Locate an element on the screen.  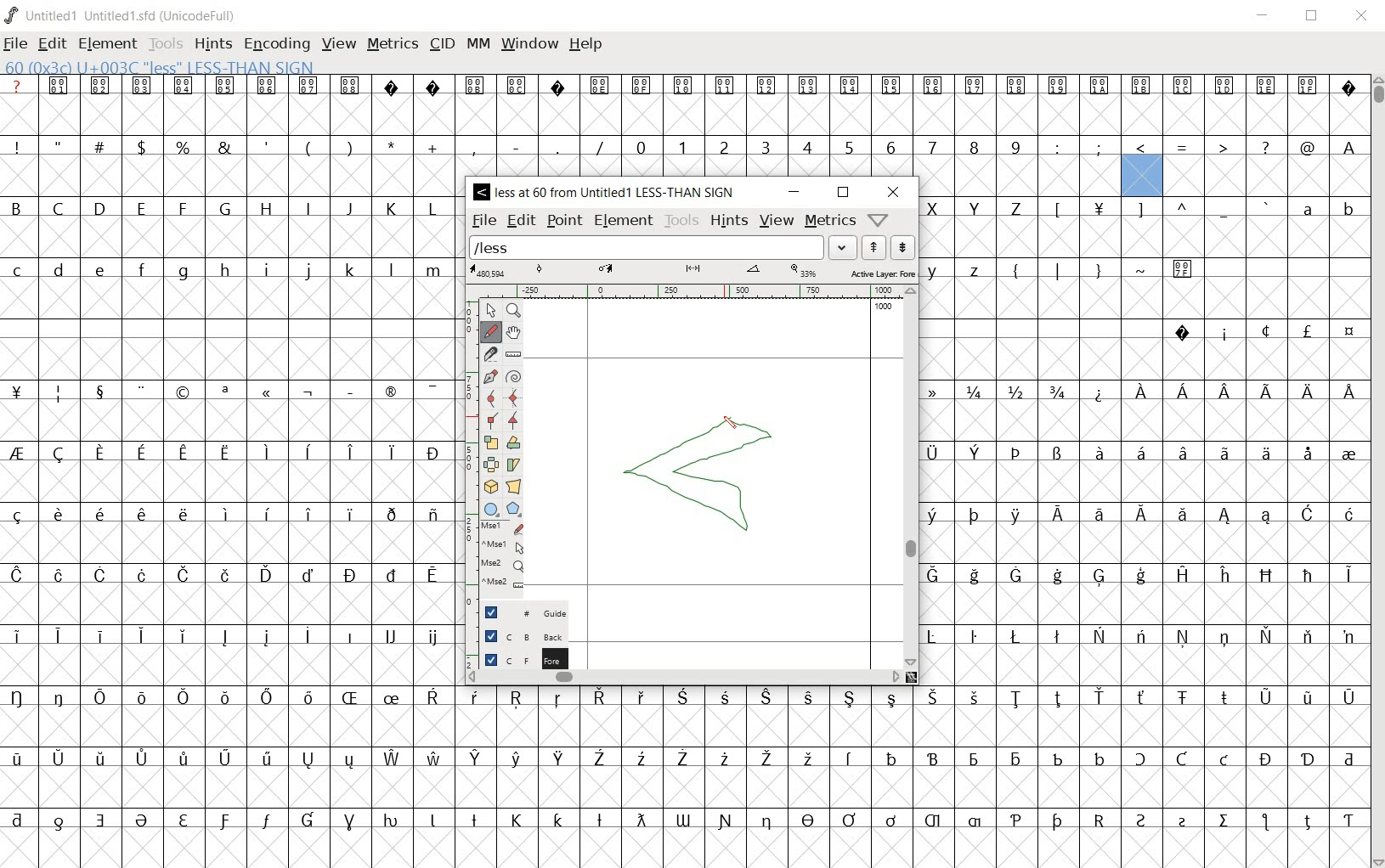
empty cells is located at coordinates (684, 786).